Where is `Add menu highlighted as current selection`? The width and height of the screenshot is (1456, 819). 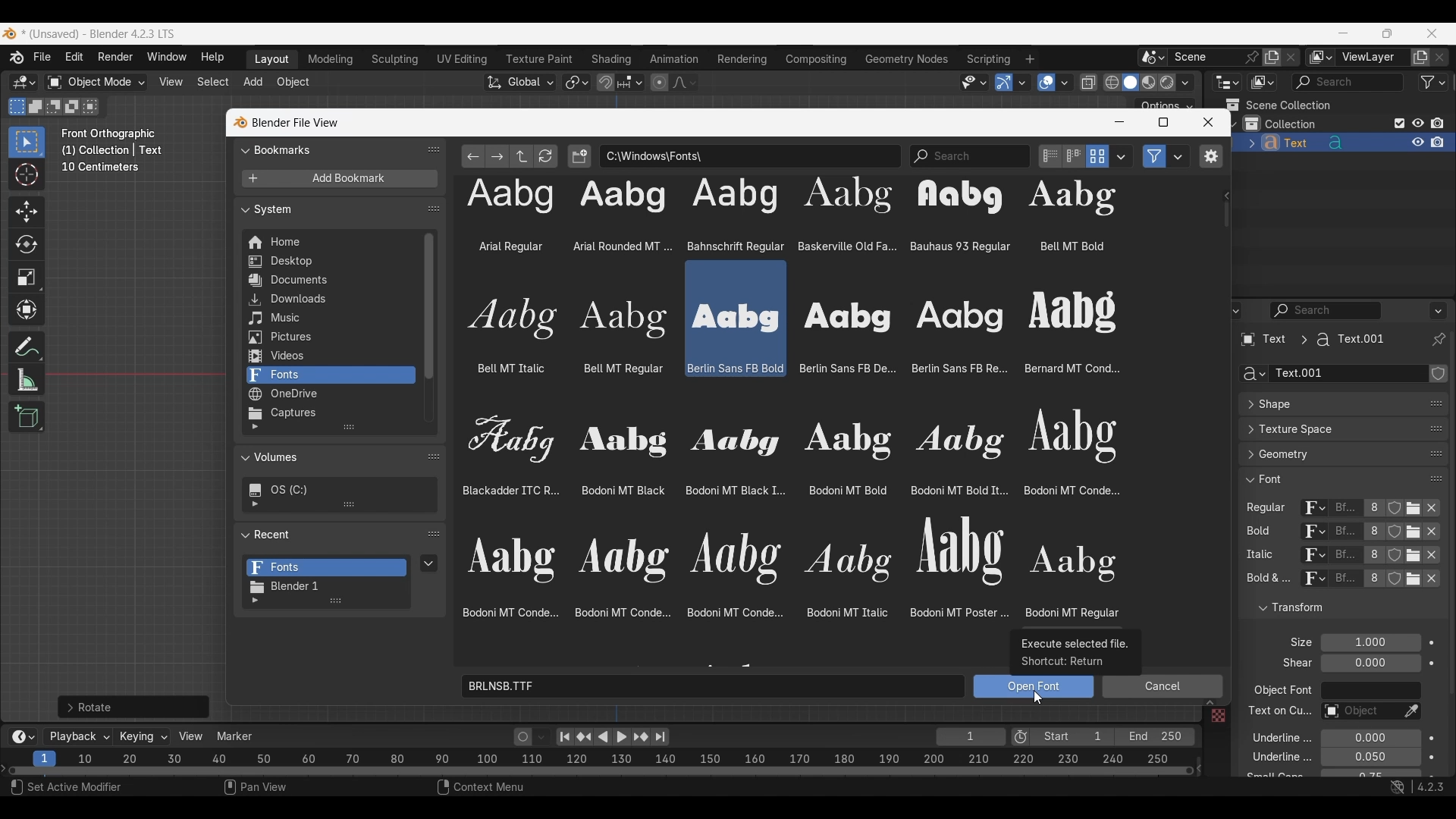 Add menu highlighted as current selection is located at coordinates (253, 83).